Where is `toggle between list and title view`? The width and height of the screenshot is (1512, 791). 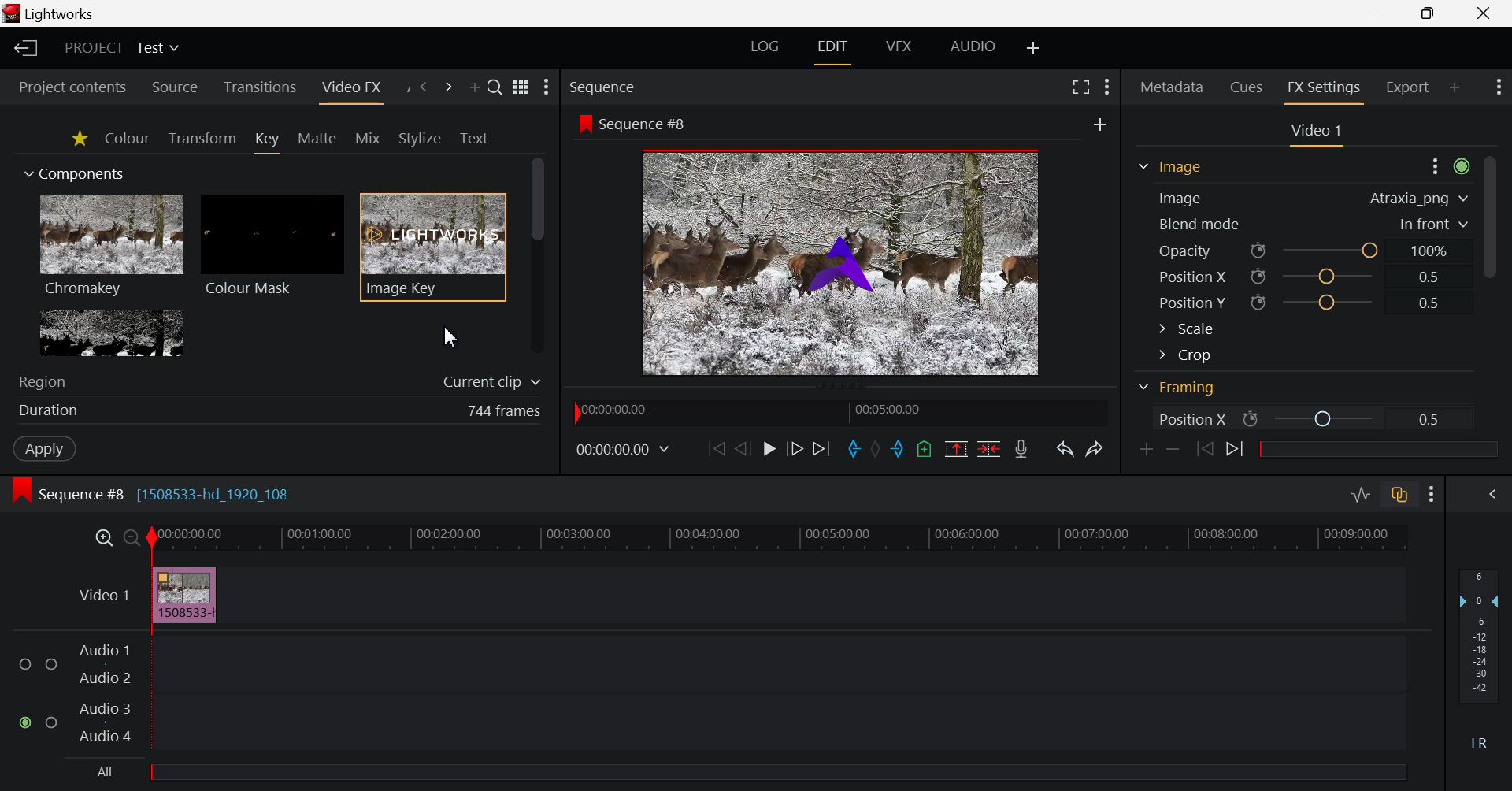
toggle between list and title view is located at coordinates (521, 85).